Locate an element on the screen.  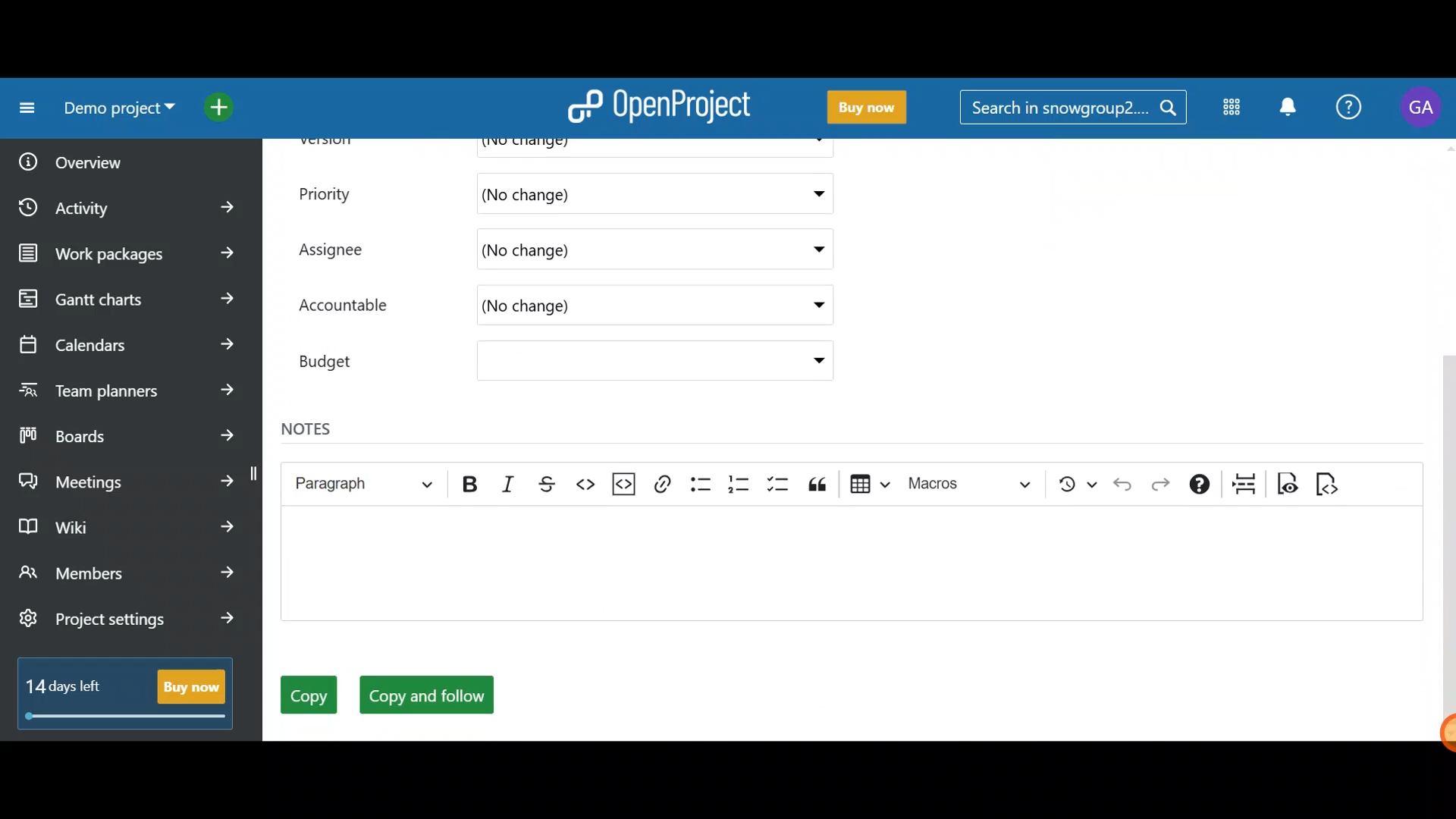
Page break is located at coordinates (1241, 488).